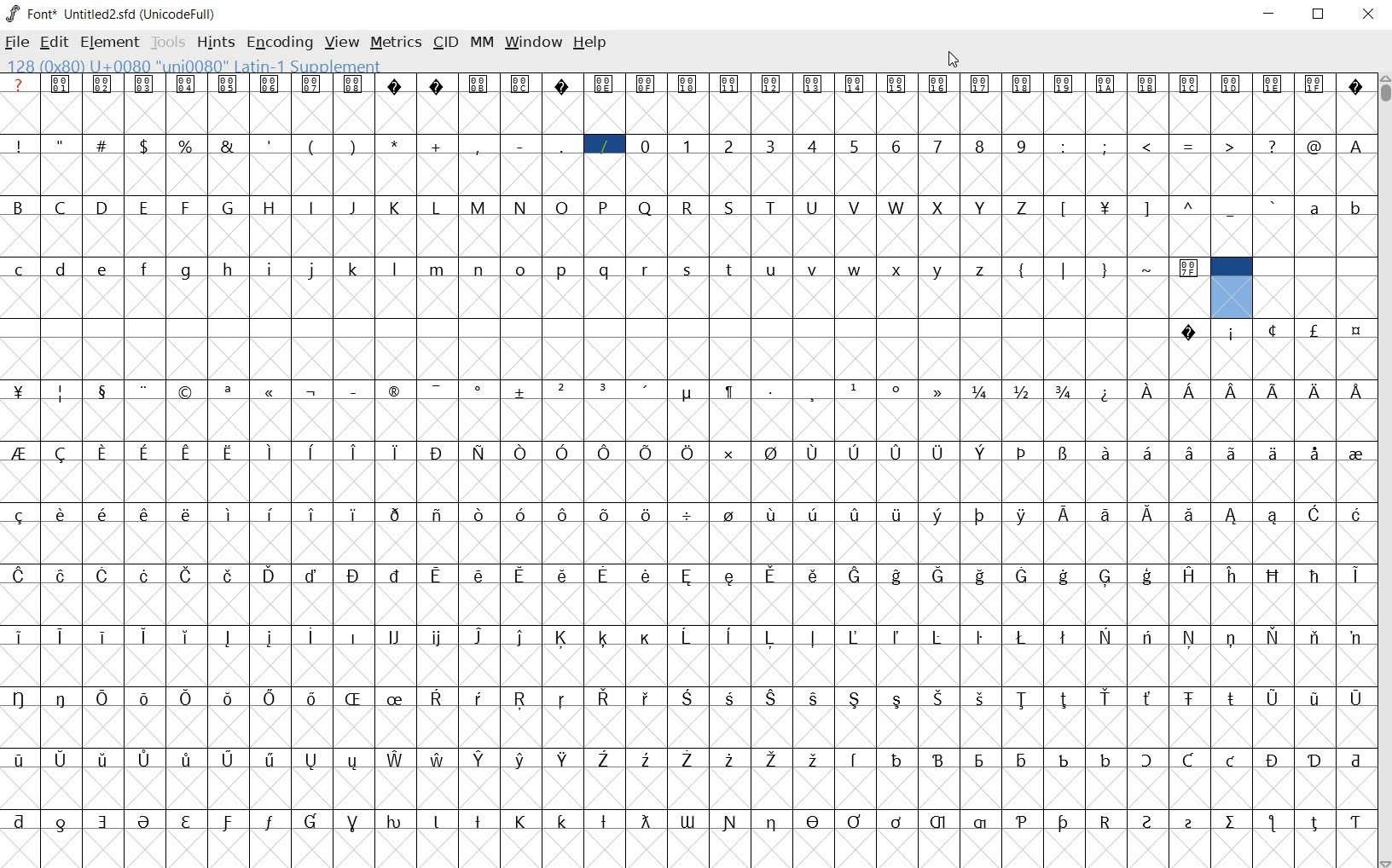 The image size is (1392, 868). Describe the element at coordinates (481, 758) in the screenshot. I see `Symbol` at that location.